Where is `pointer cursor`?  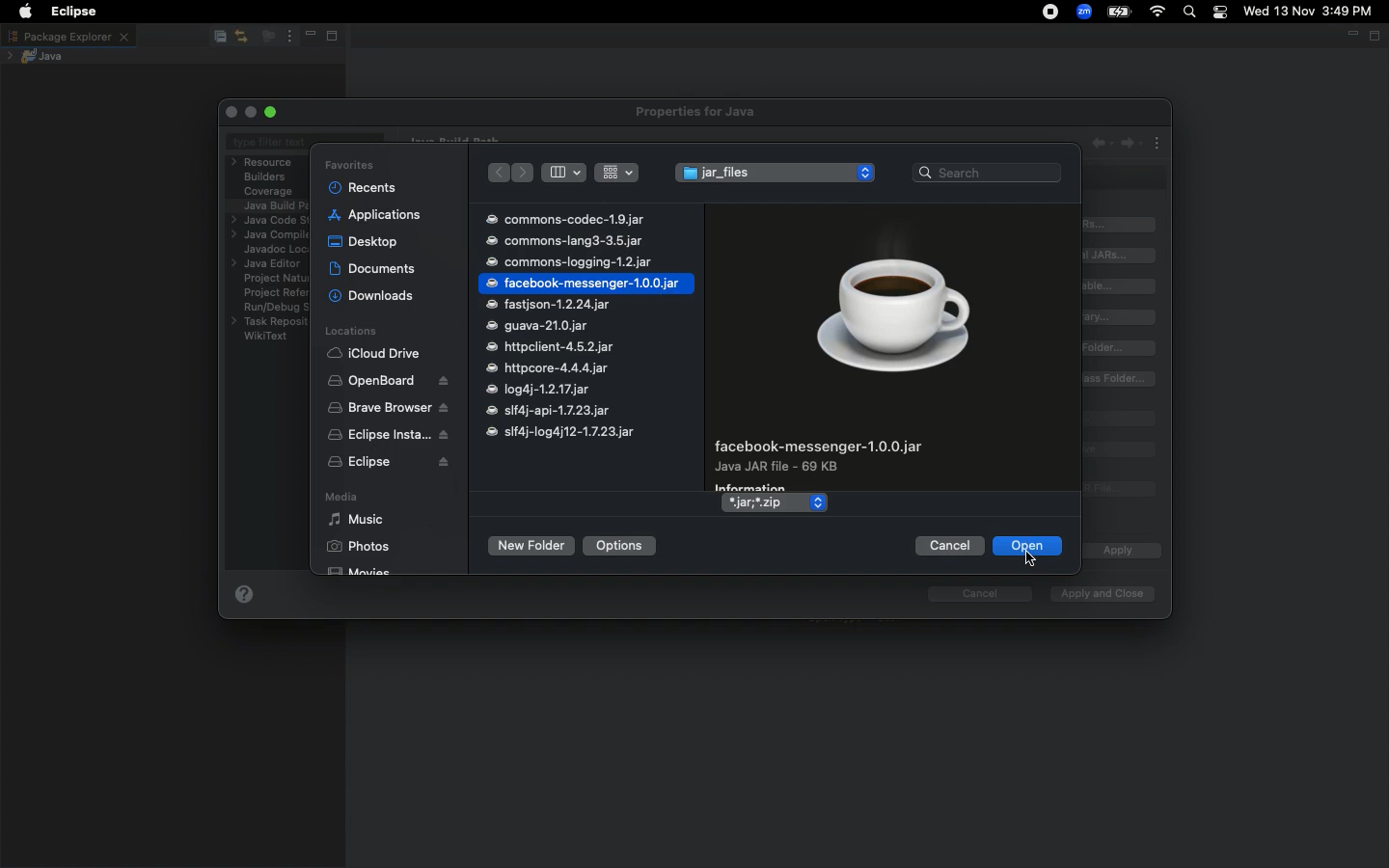 pointer cursor is located at coordinates (1016, 562).